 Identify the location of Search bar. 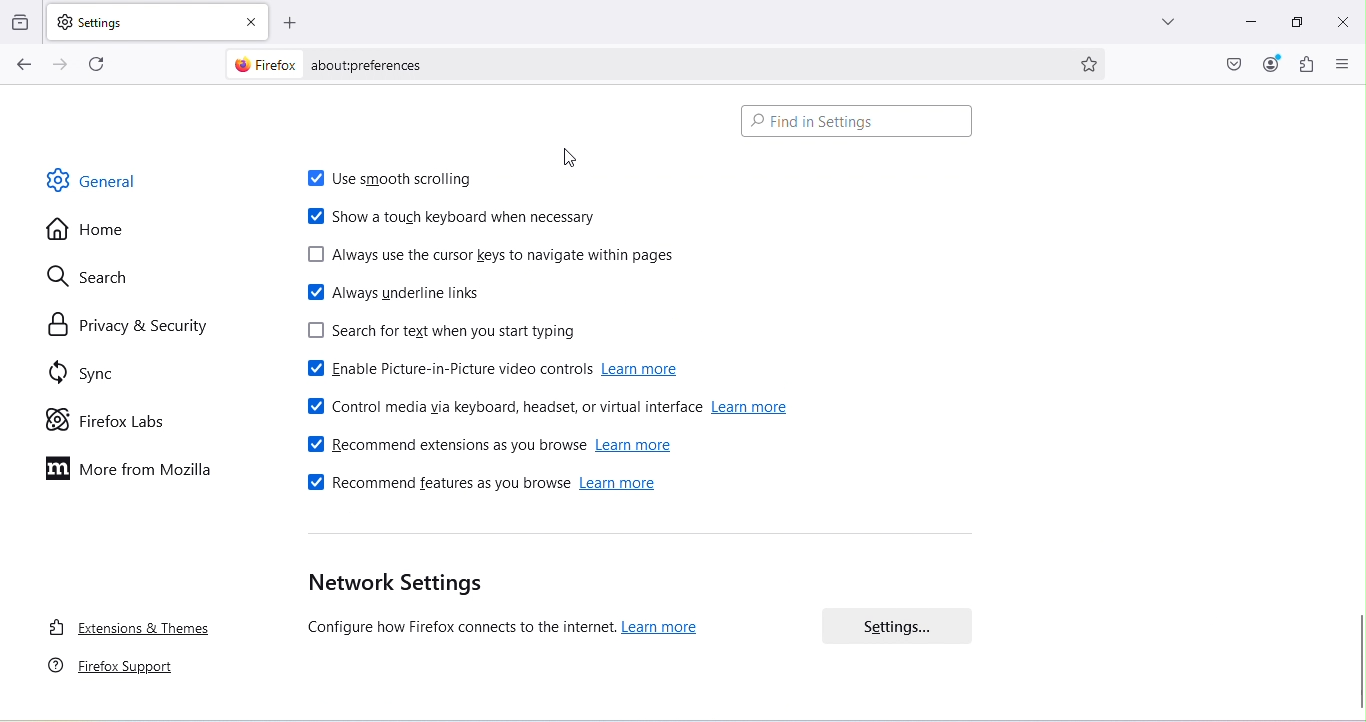
(857, 122).